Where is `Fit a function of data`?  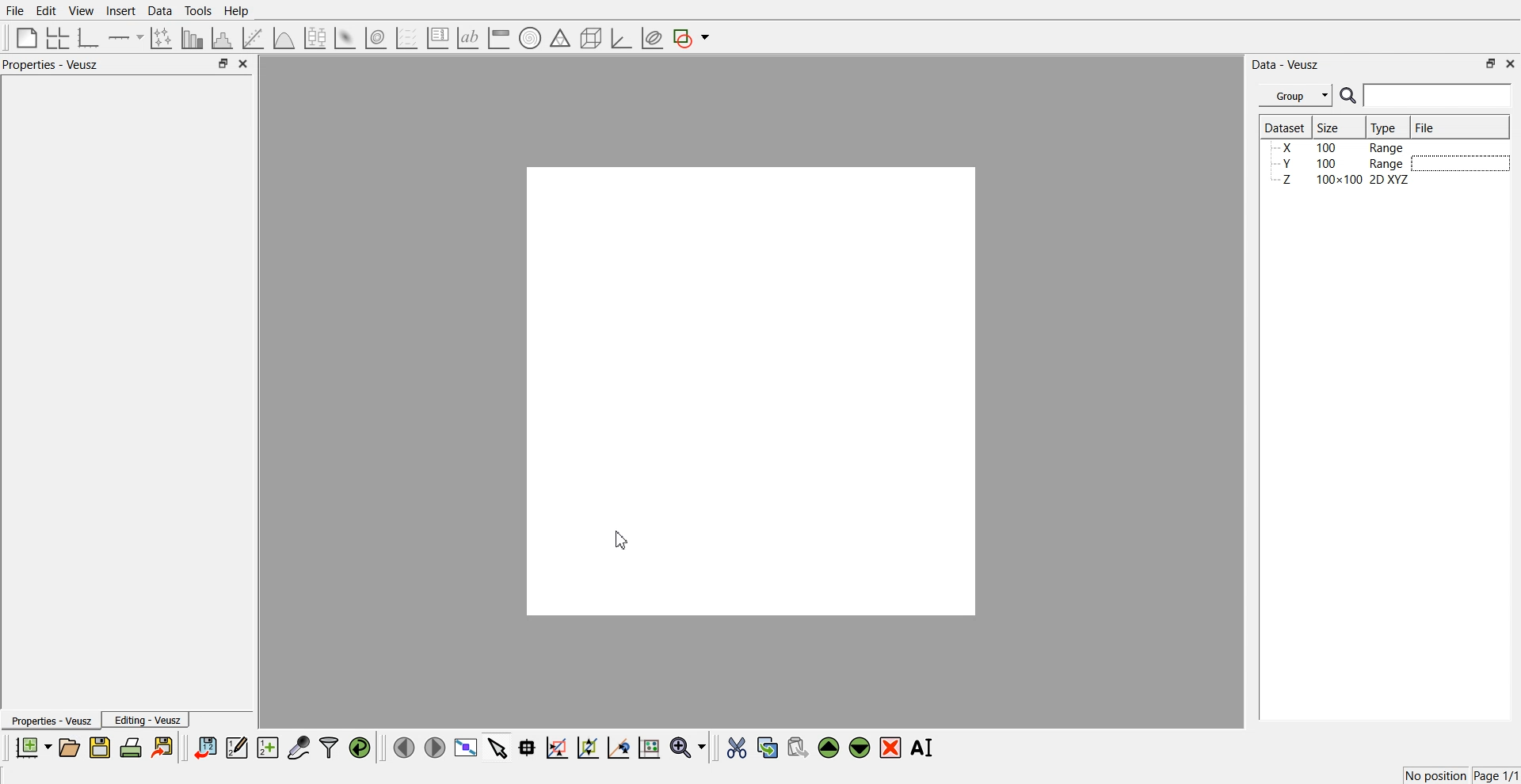 Fit a function of data is located at coordinates (252, 38).